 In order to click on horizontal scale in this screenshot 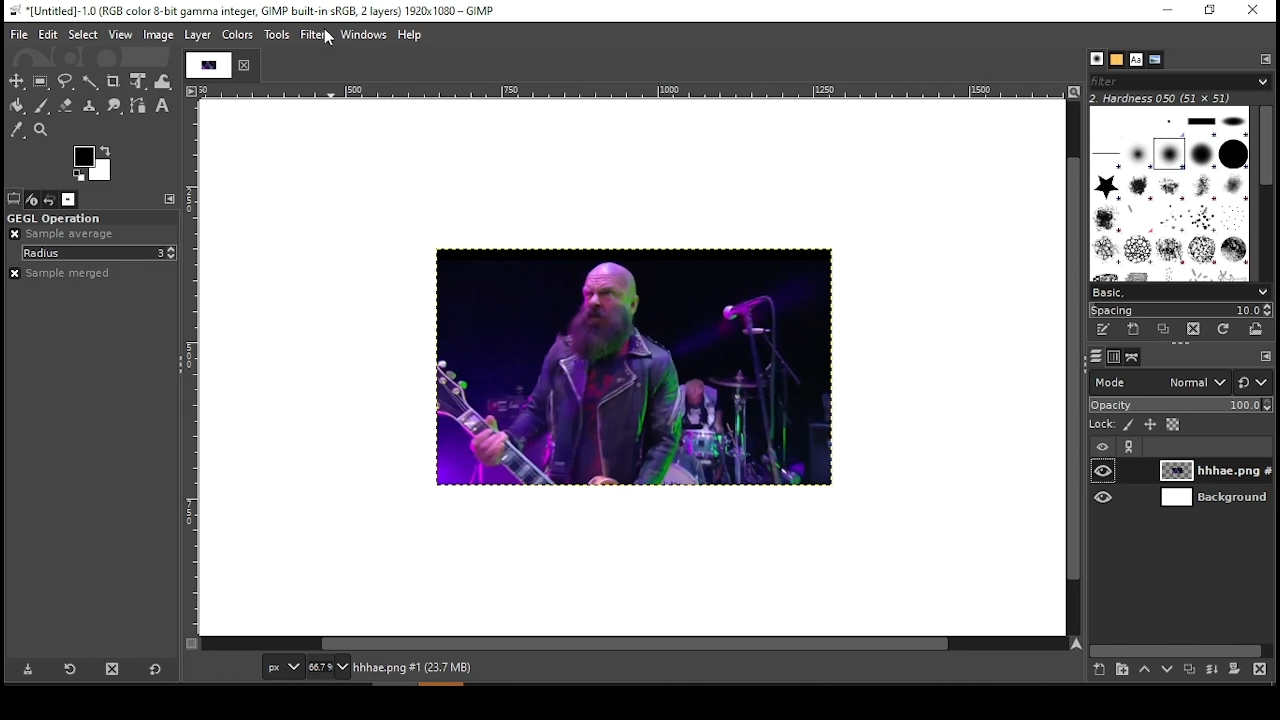, I will do `click(635, 89)`.